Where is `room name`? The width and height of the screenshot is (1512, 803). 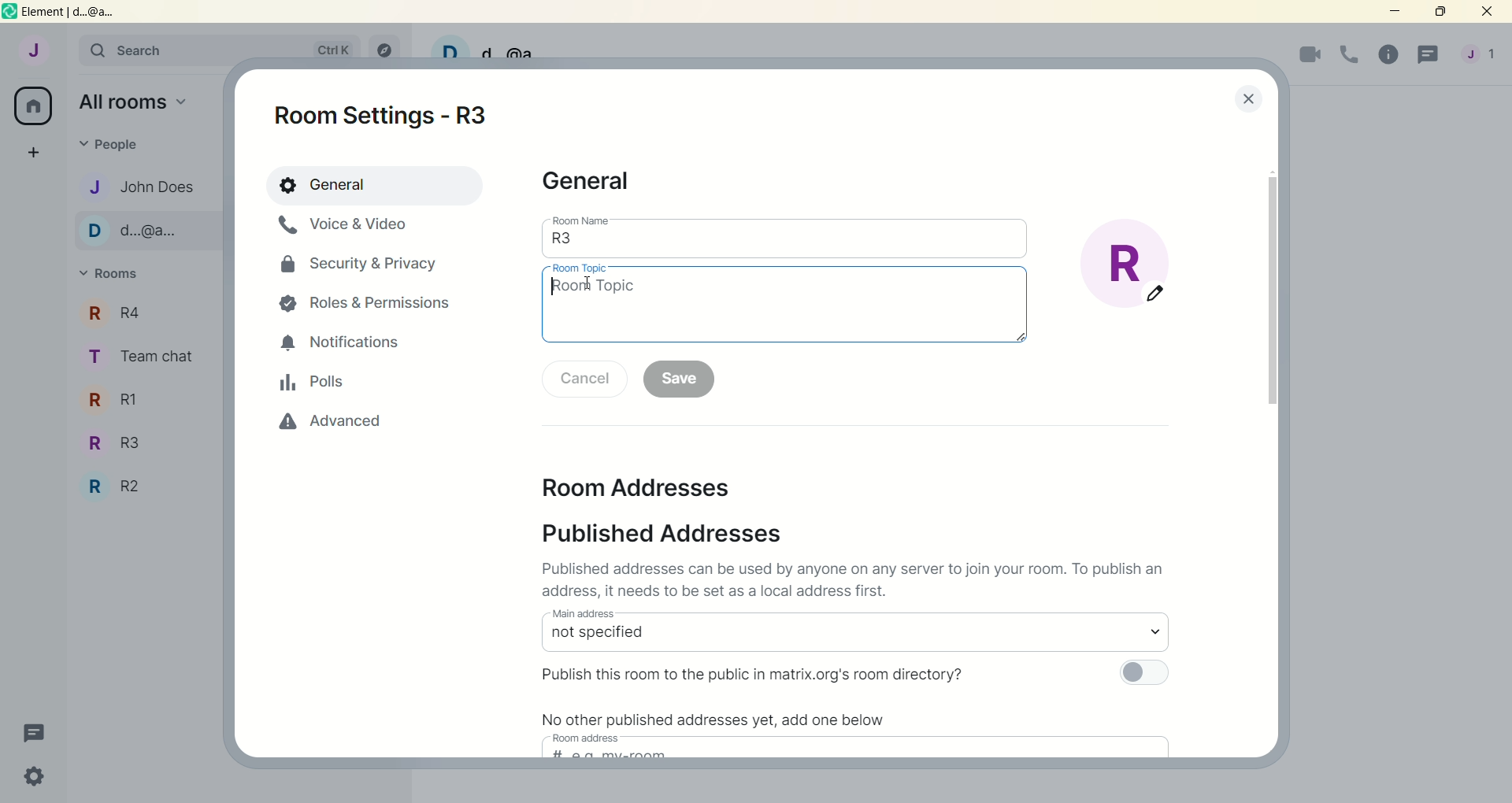
room name is located at coordinates (584, 220).